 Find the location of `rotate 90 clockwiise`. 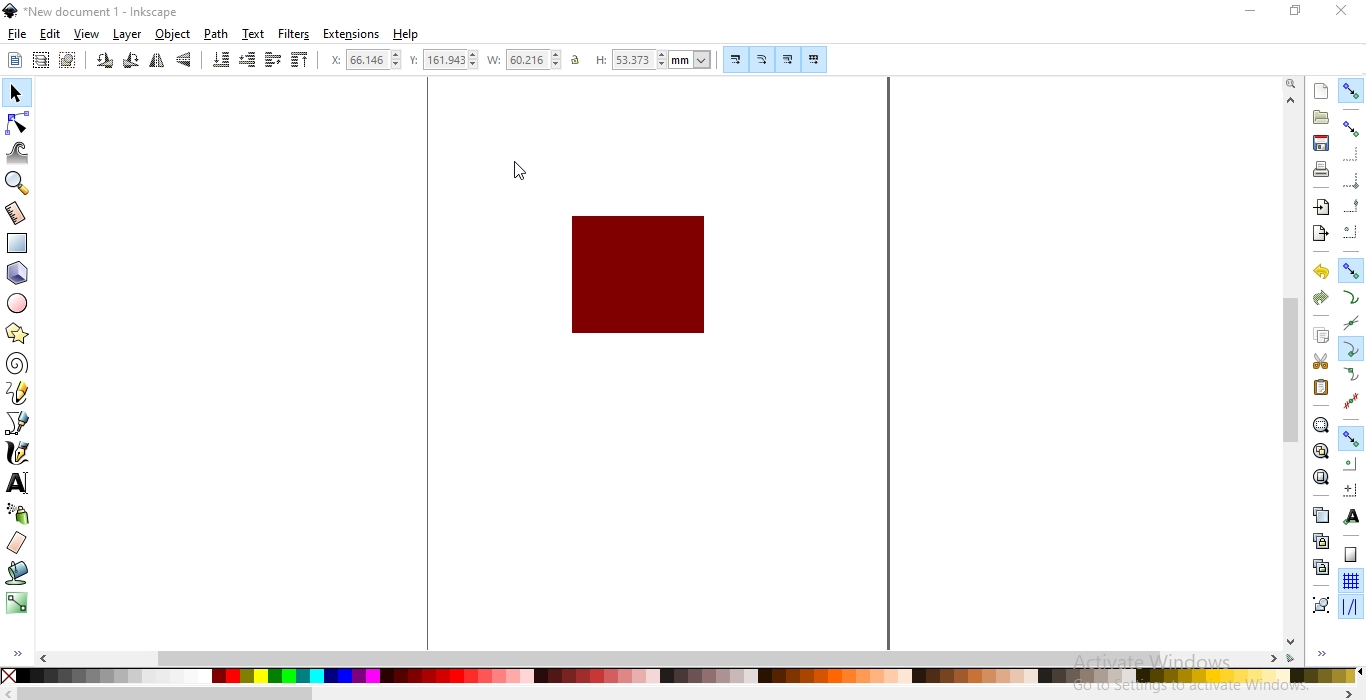

rotate 90 clockwiise is located at coordinates (129, 63).